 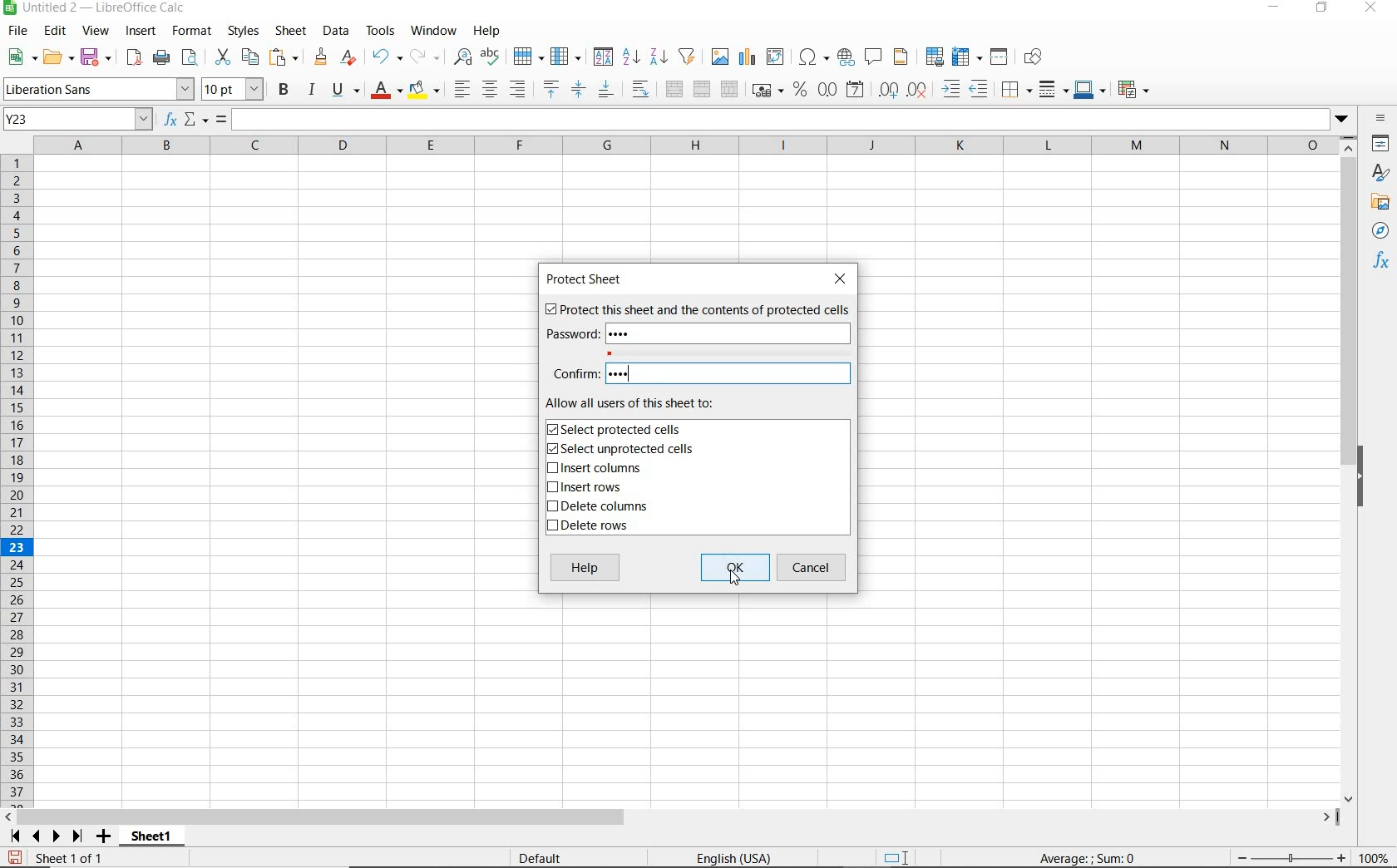 I want to click on PROTECT THIS SHEET AND THE CONTENTS OF PROTECTED CELLS, so click(x=696, y=311).